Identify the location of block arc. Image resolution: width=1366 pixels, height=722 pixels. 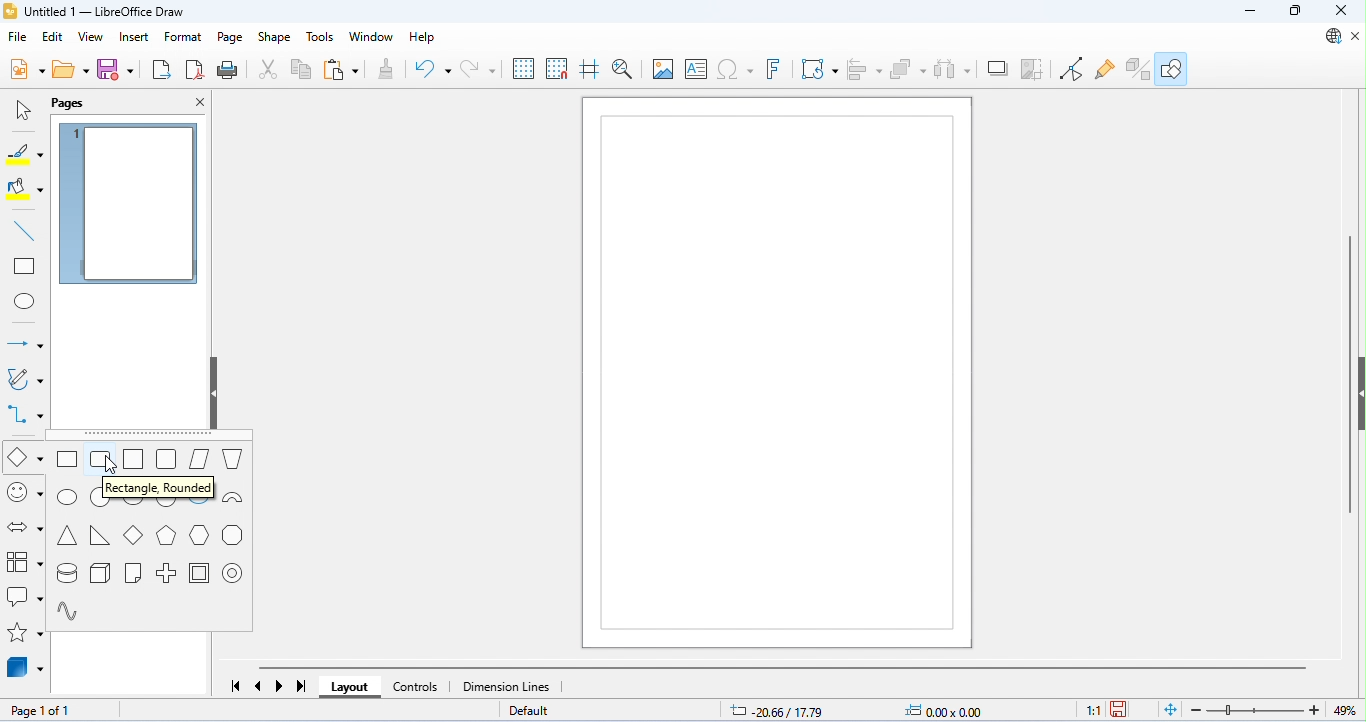
(234, 497).